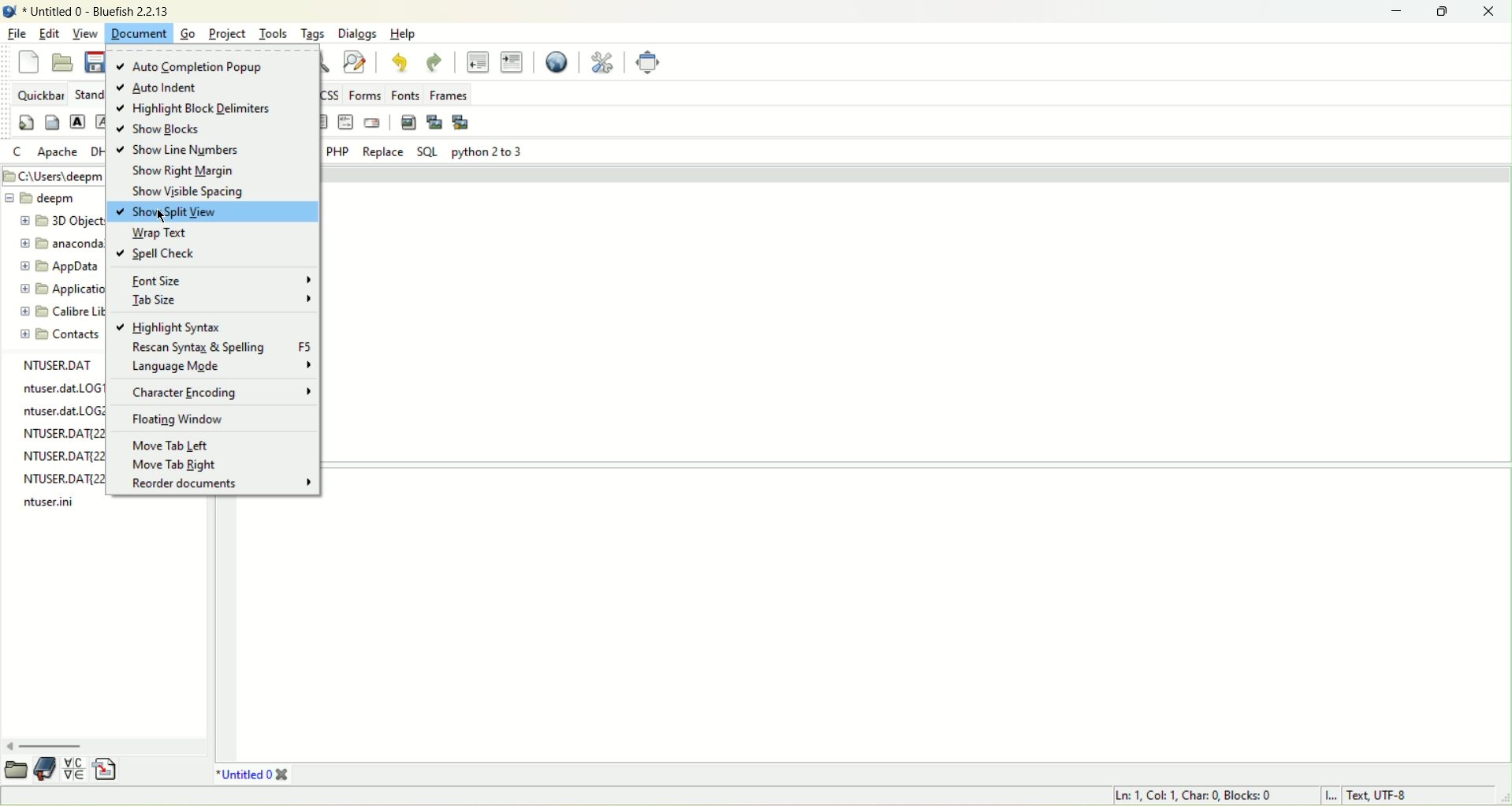 This screenshot has width=1512, height=806. I want to click on folder name, so click(61, 312).